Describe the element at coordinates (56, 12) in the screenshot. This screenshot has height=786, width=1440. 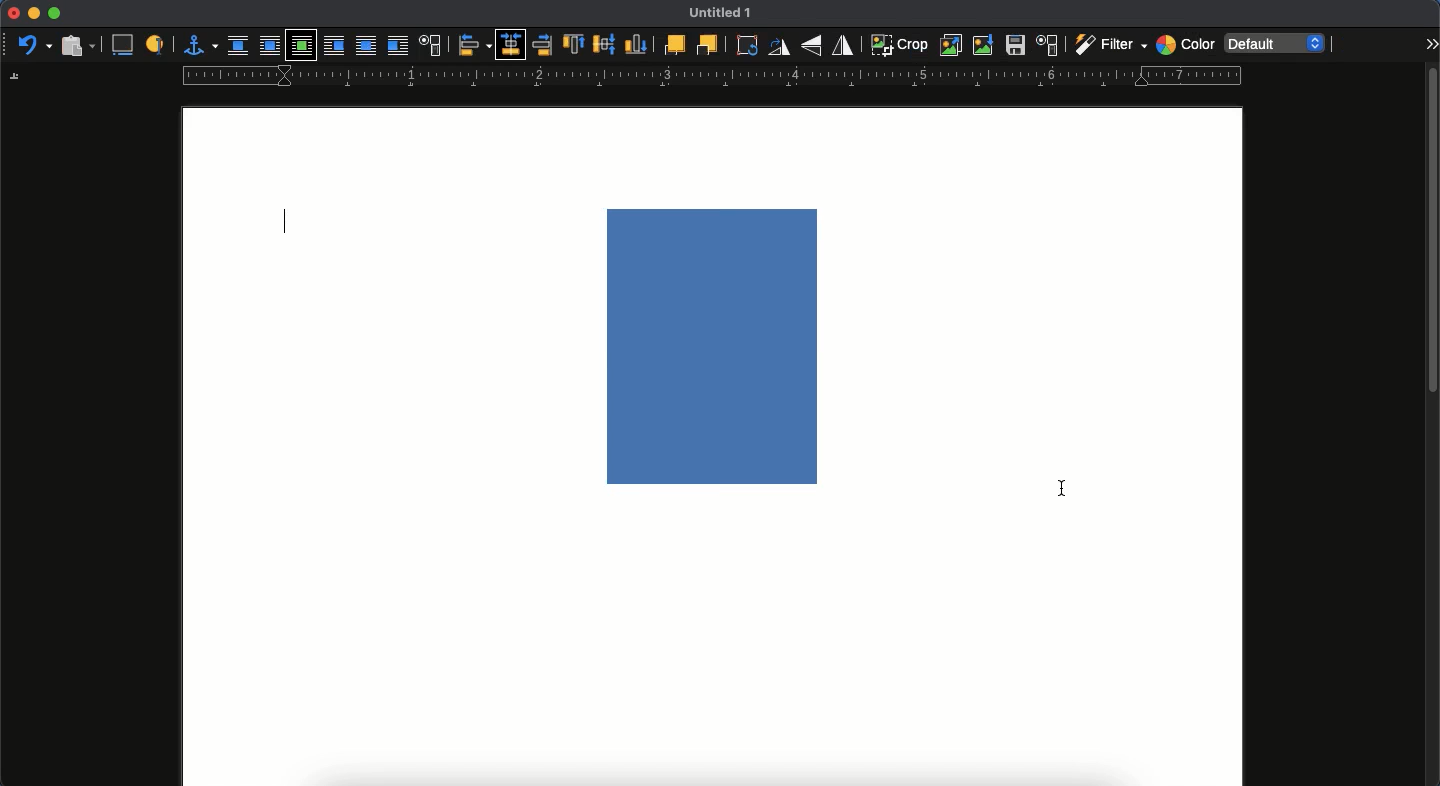
I see `maximize` at that location.